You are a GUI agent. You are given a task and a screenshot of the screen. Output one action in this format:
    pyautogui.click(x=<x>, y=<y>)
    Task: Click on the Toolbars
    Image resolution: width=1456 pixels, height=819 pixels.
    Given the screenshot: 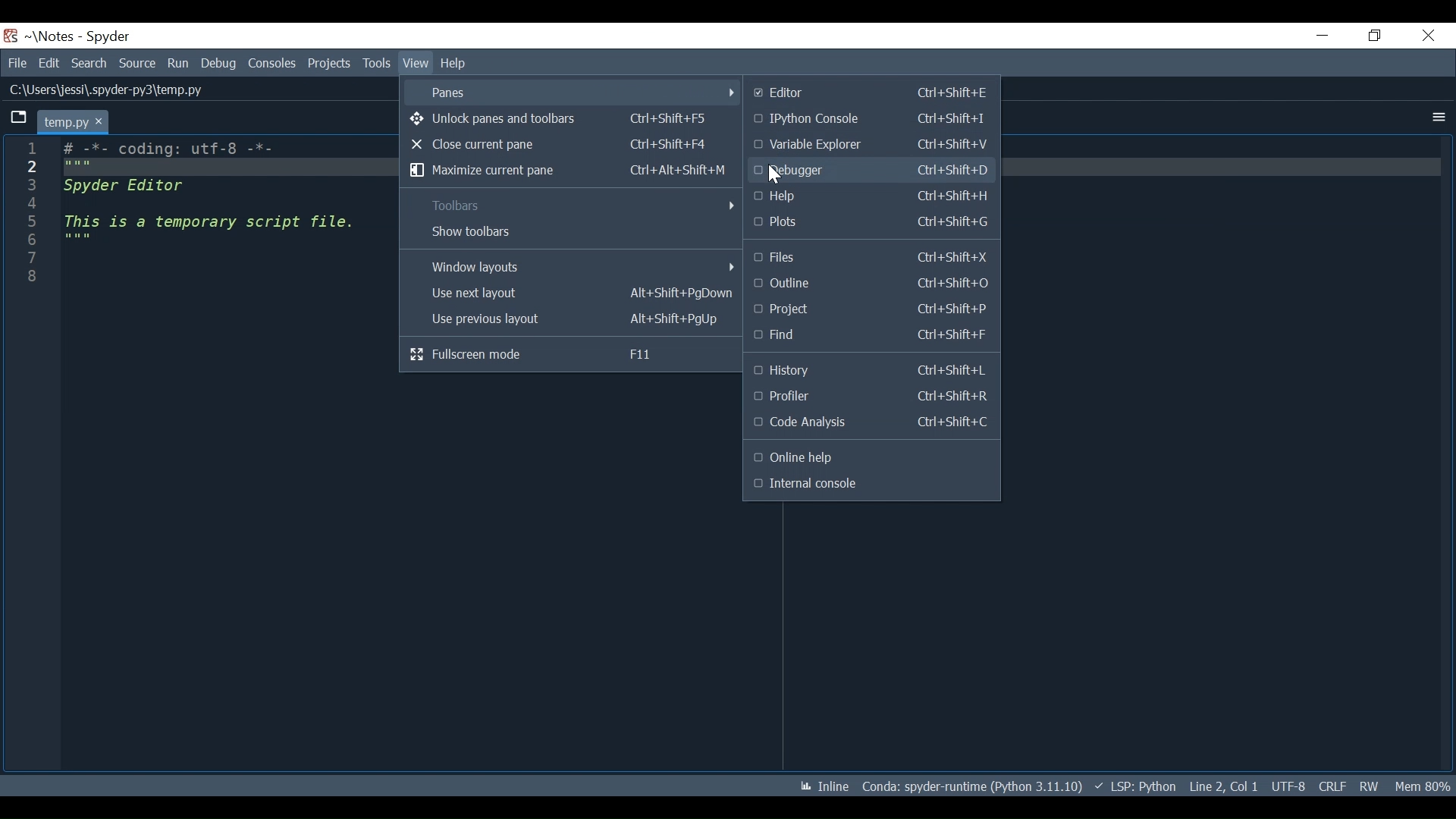 What is the action you would take?
    pyautogui.click(x=575, y=205)
    